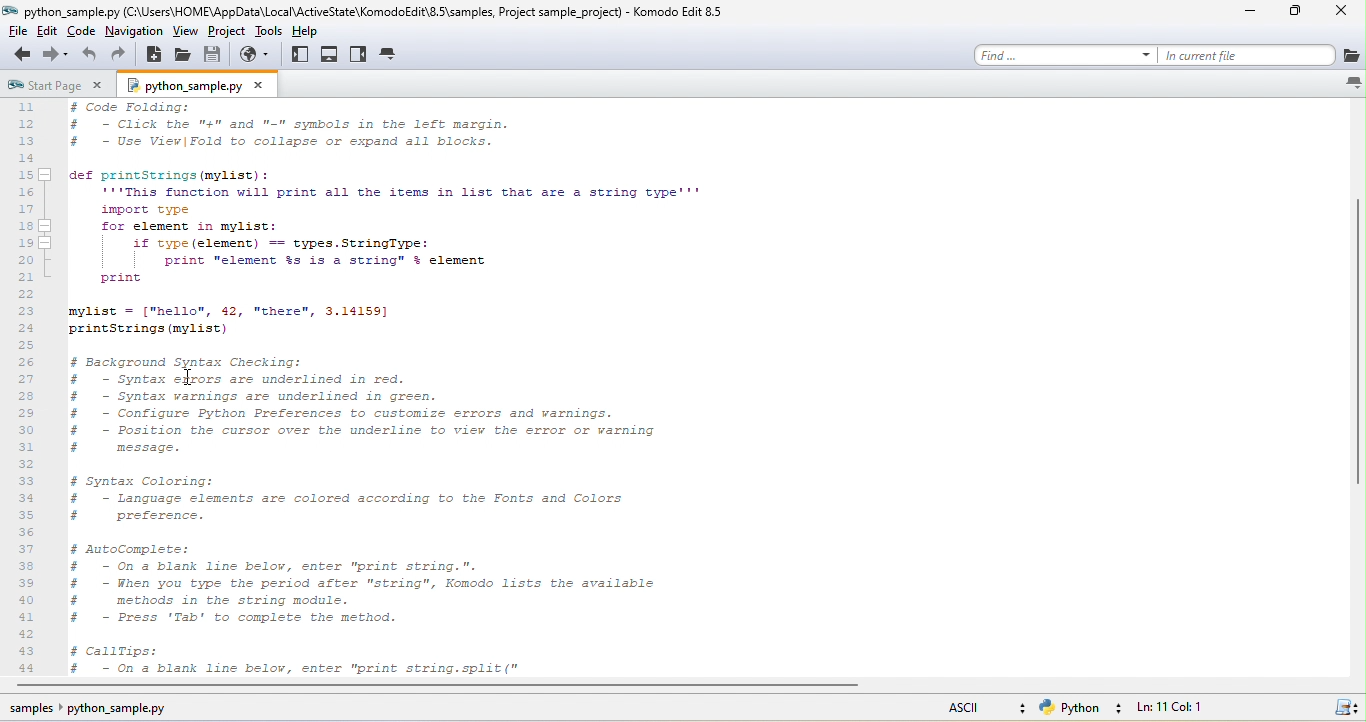  Describe the element at coordinates (232, 35) in the screenshot. I see `project` at that location.